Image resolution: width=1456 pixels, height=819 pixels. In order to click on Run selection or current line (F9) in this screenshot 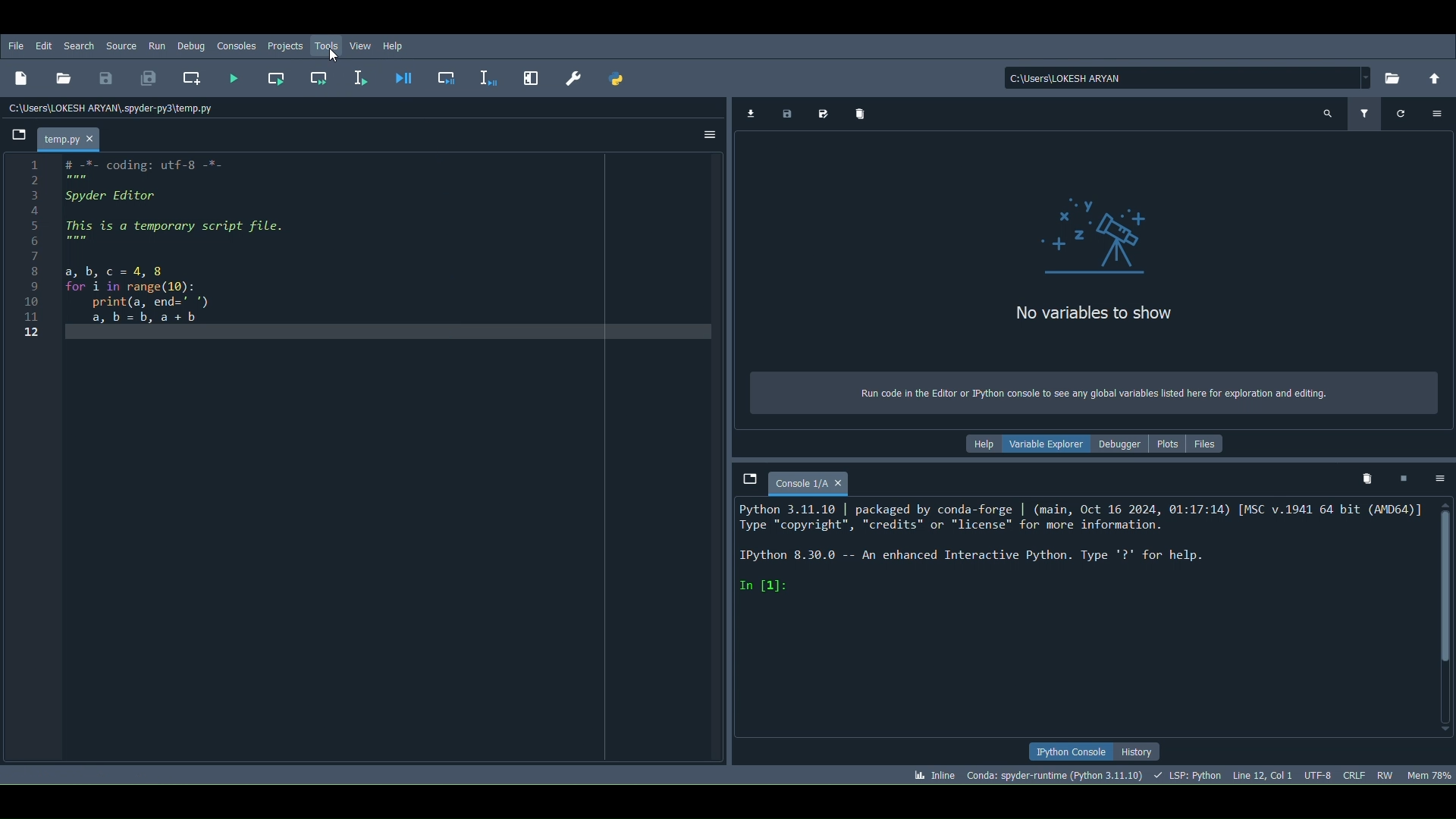, I will do `click(358, 74)`.